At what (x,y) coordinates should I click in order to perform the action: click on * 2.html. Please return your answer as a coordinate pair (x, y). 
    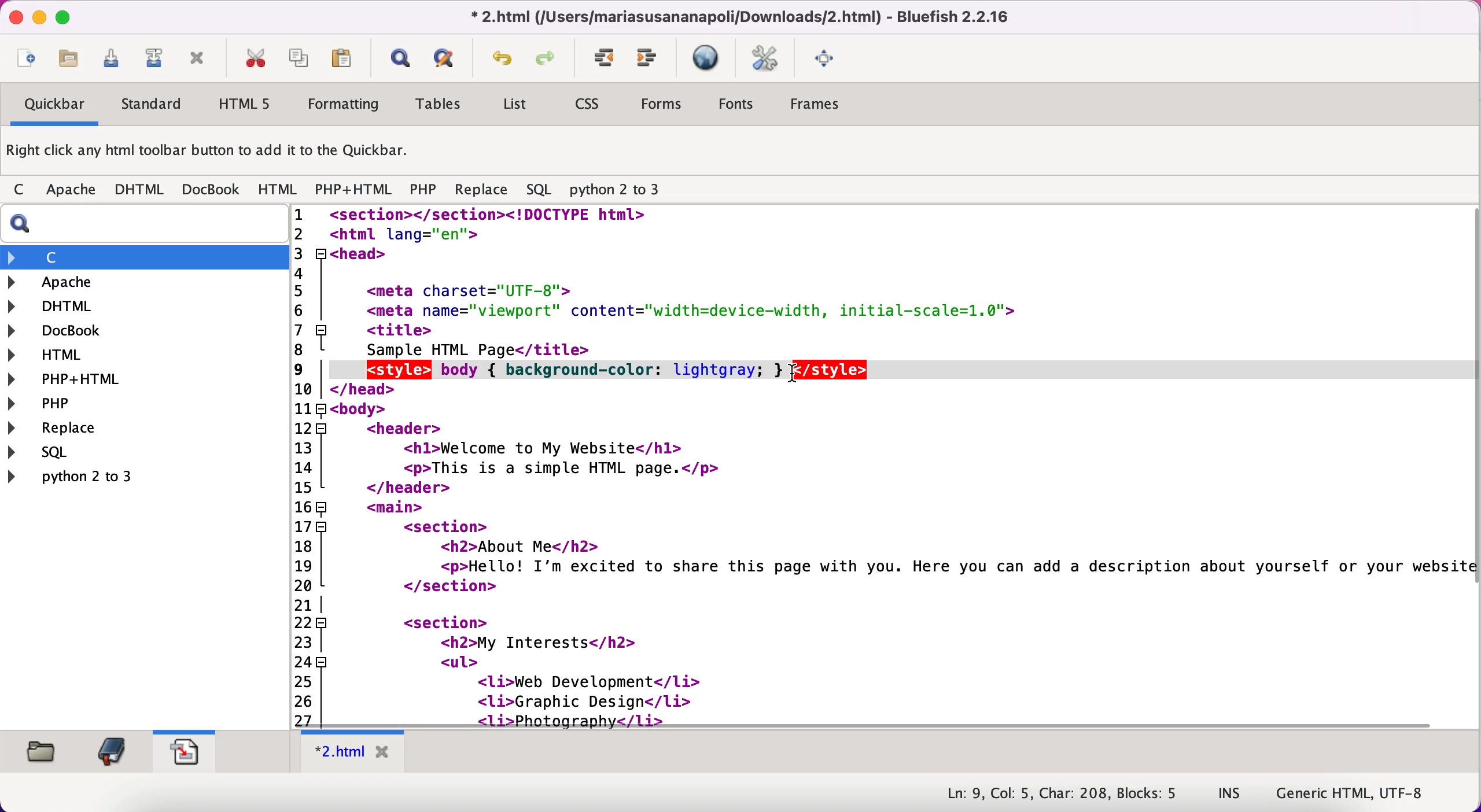
    Looking at the image, I should click on (355, 752).